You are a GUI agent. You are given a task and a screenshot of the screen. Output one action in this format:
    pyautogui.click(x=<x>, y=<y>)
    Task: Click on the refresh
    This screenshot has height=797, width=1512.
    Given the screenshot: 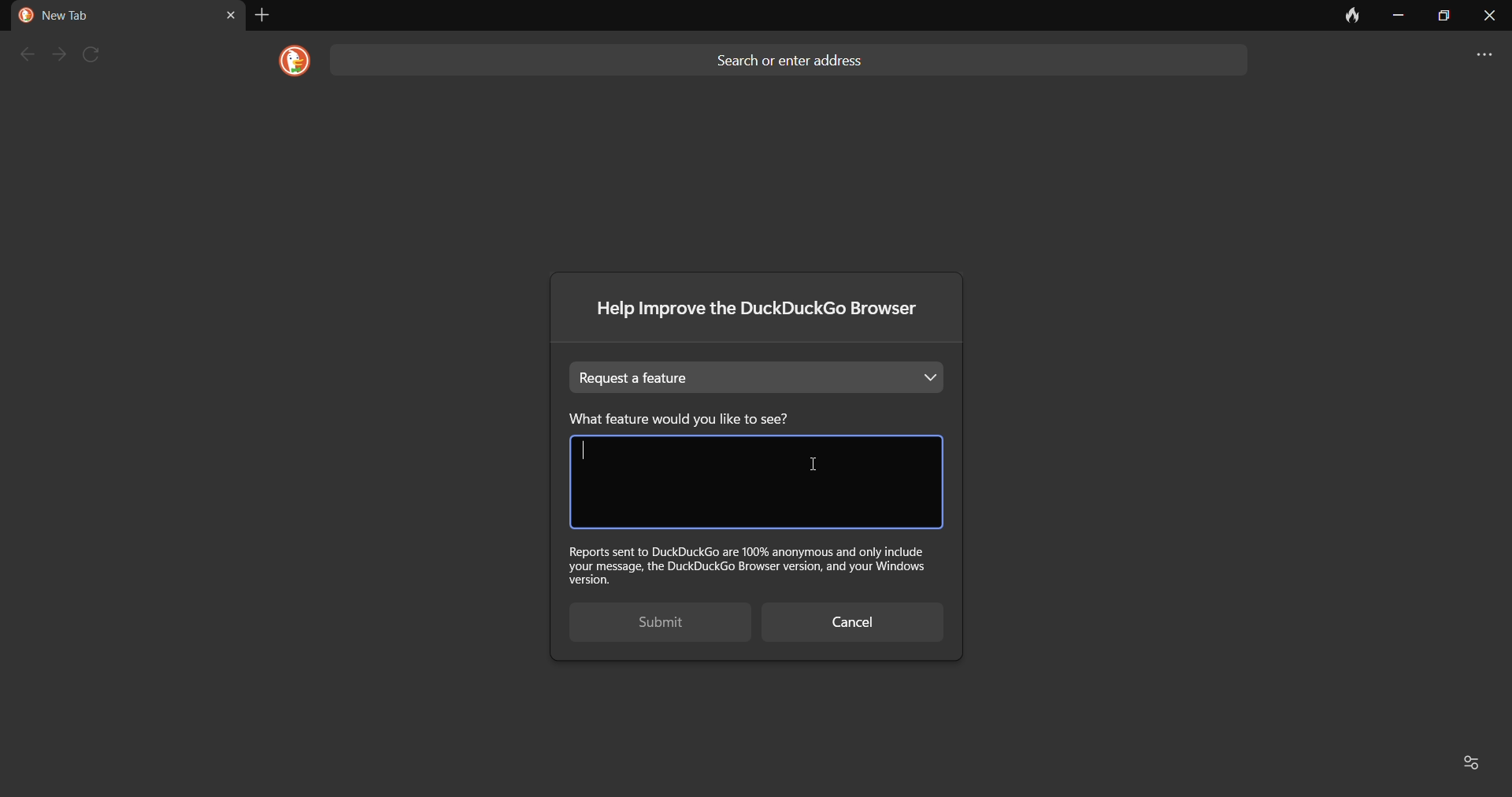 What is the action you would take?
    pyautogui.click(x=98, y=54)
    